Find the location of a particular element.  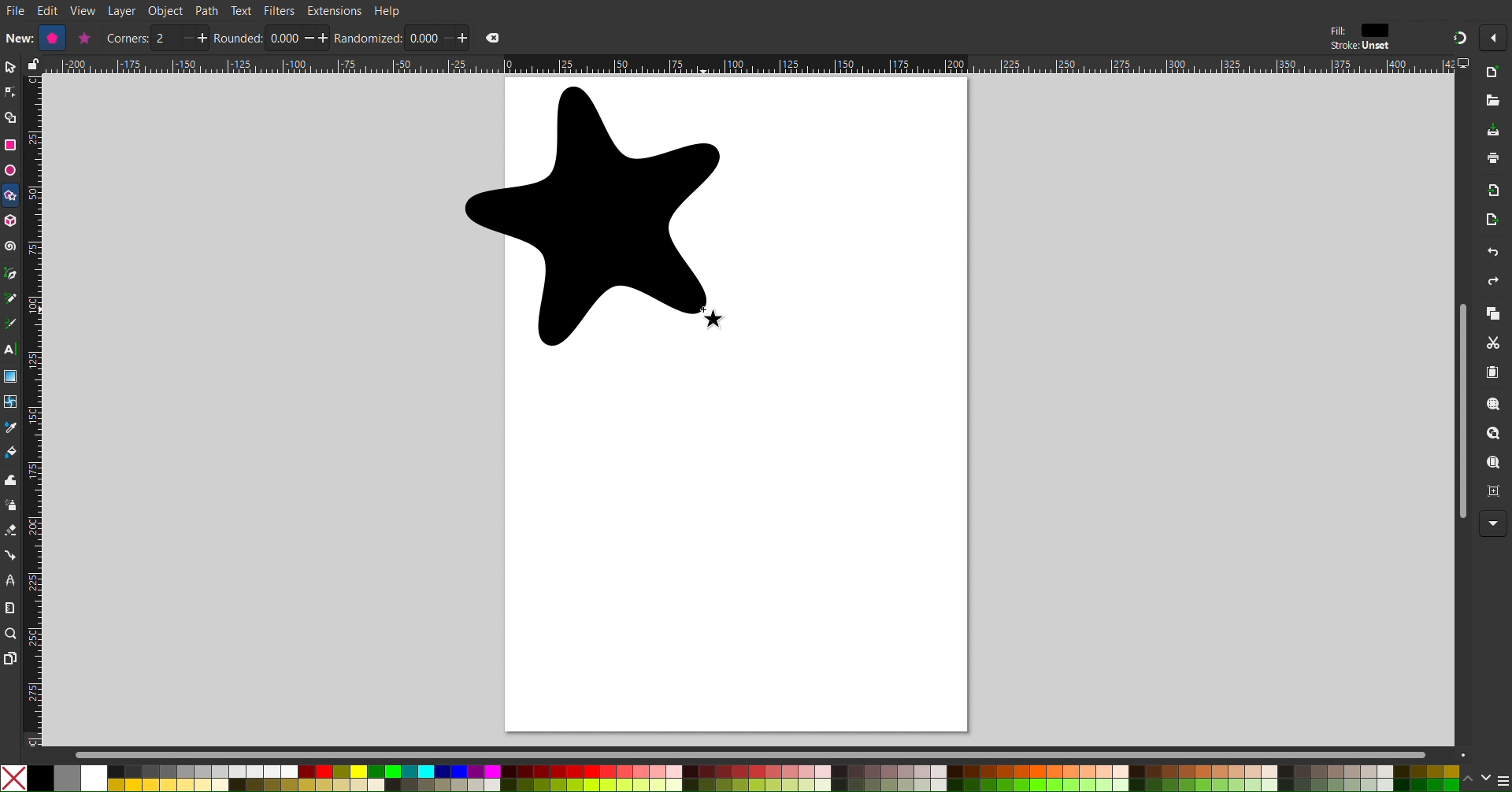

randomized is located at coordinates (369, 38).